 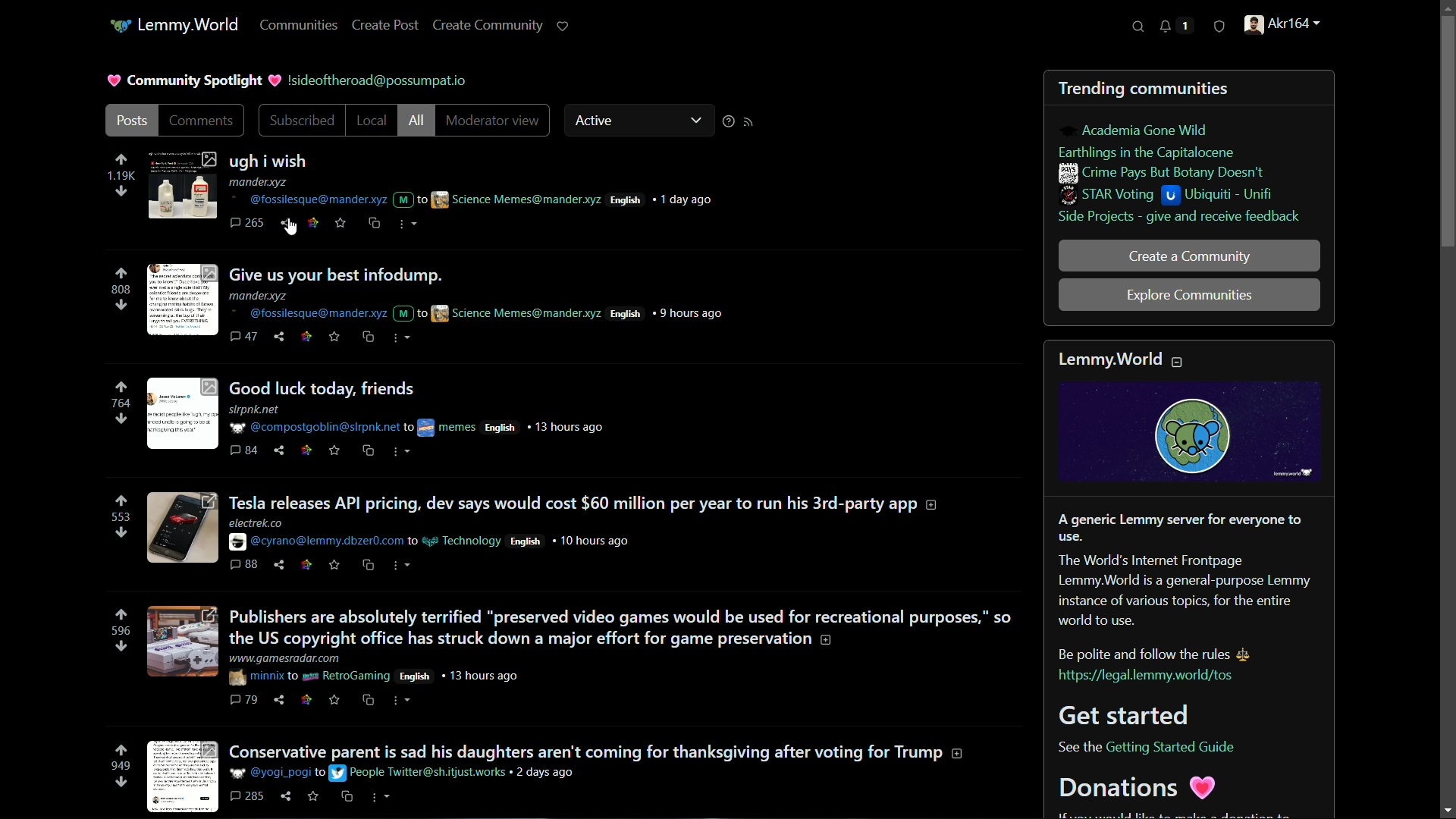 What do you see at coordinates (1141, 787) in the screenshot?
I see `Donations` at bounding box center [1141, 787].